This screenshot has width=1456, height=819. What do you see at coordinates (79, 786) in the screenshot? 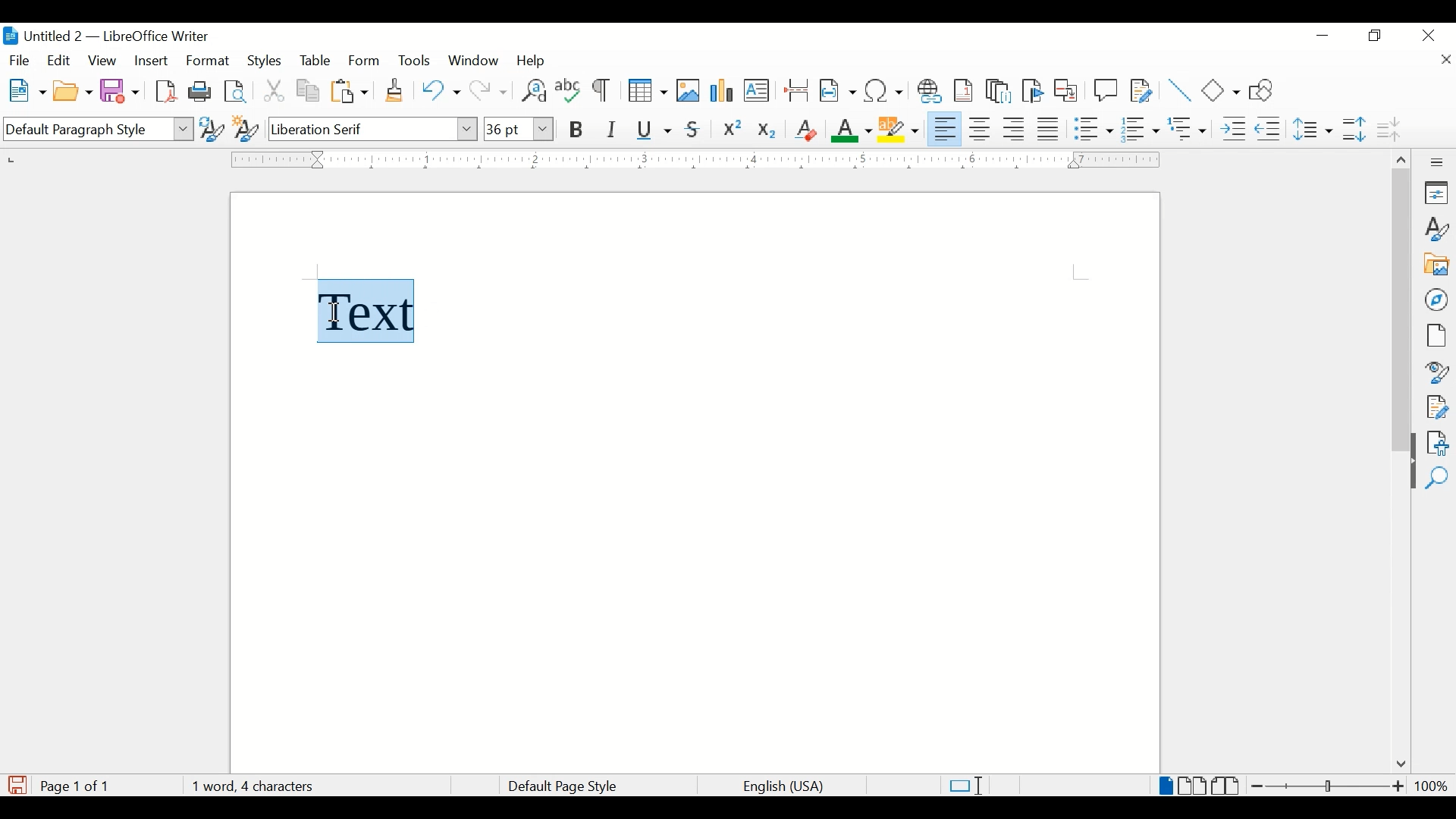
I see `page count` at bounding box center [79, 786].